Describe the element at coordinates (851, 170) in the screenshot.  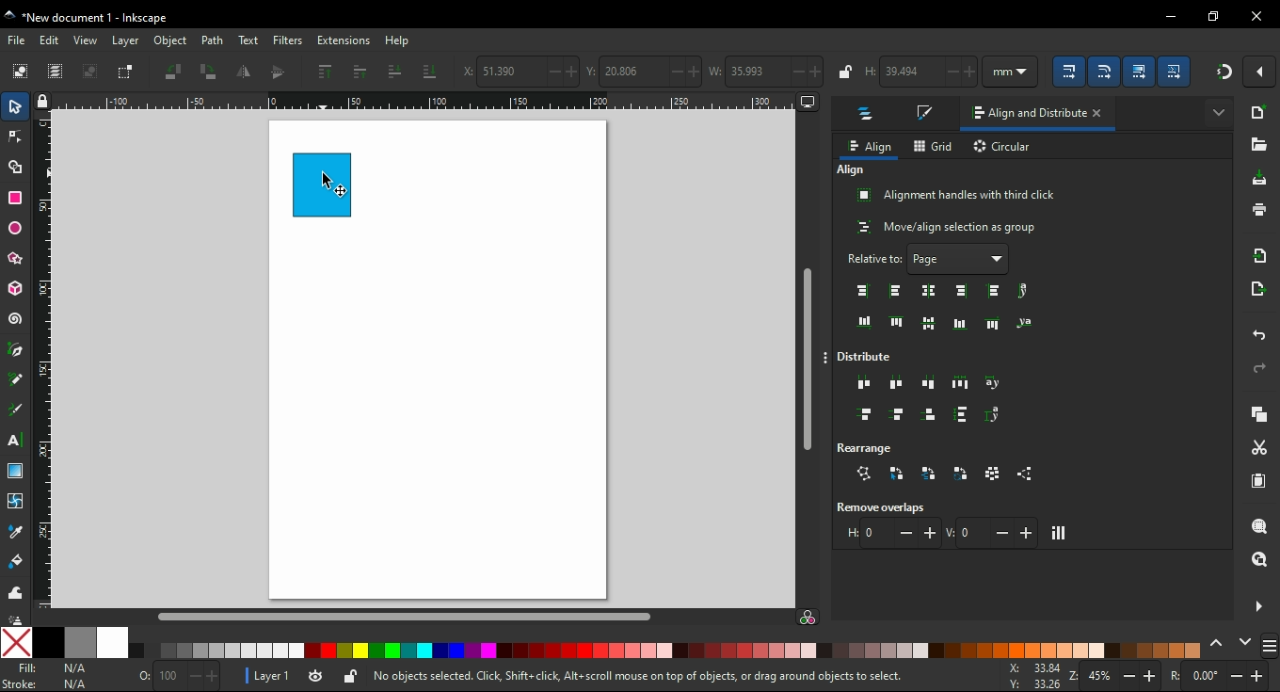
I see `align` at that location.